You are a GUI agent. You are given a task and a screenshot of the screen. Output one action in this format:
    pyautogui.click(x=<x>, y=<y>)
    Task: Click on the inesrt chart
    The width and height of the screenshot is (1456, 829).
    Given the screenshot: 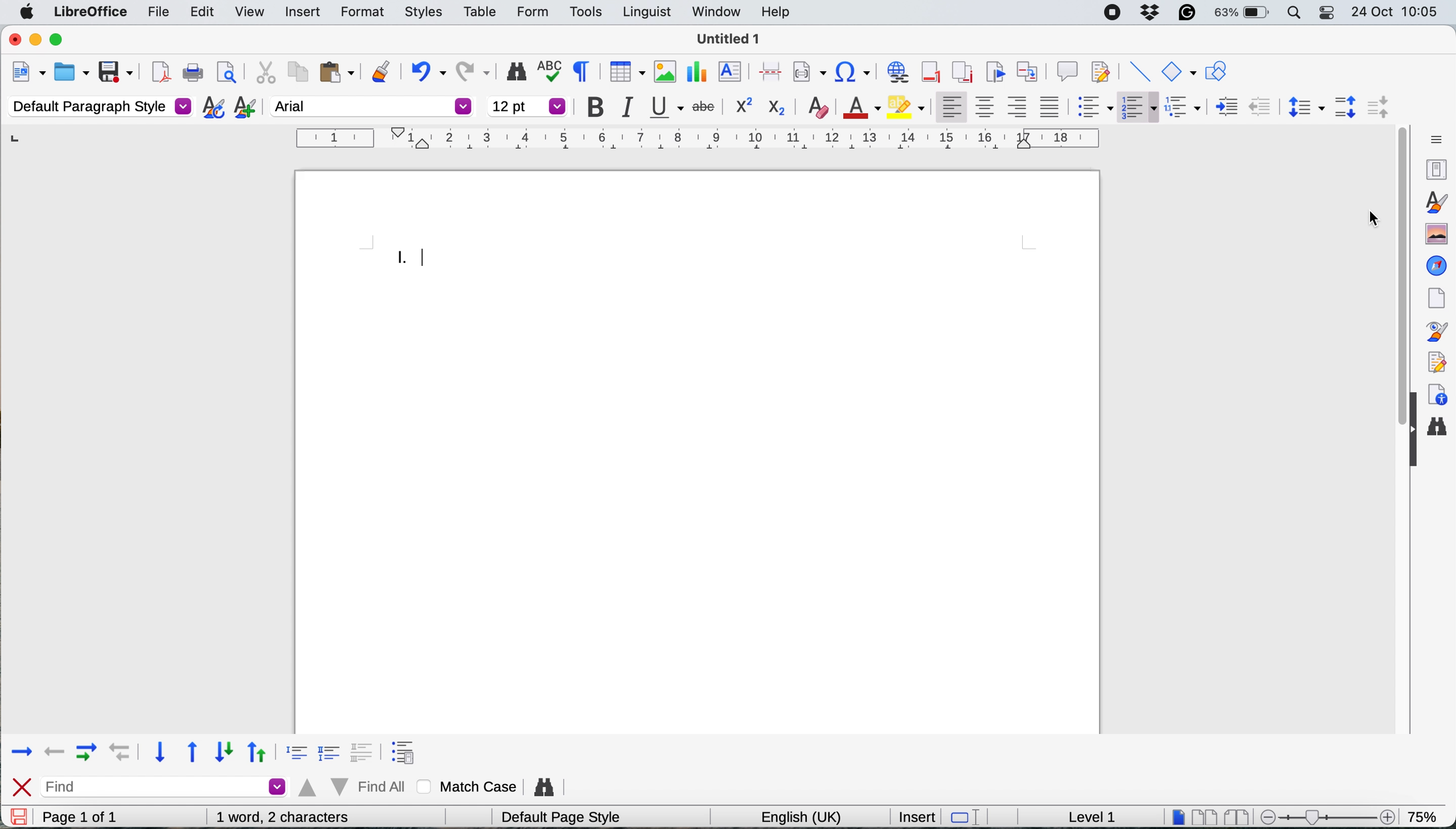 What is the action you would take?
    pyautogui.click(x=698, y=72)
    